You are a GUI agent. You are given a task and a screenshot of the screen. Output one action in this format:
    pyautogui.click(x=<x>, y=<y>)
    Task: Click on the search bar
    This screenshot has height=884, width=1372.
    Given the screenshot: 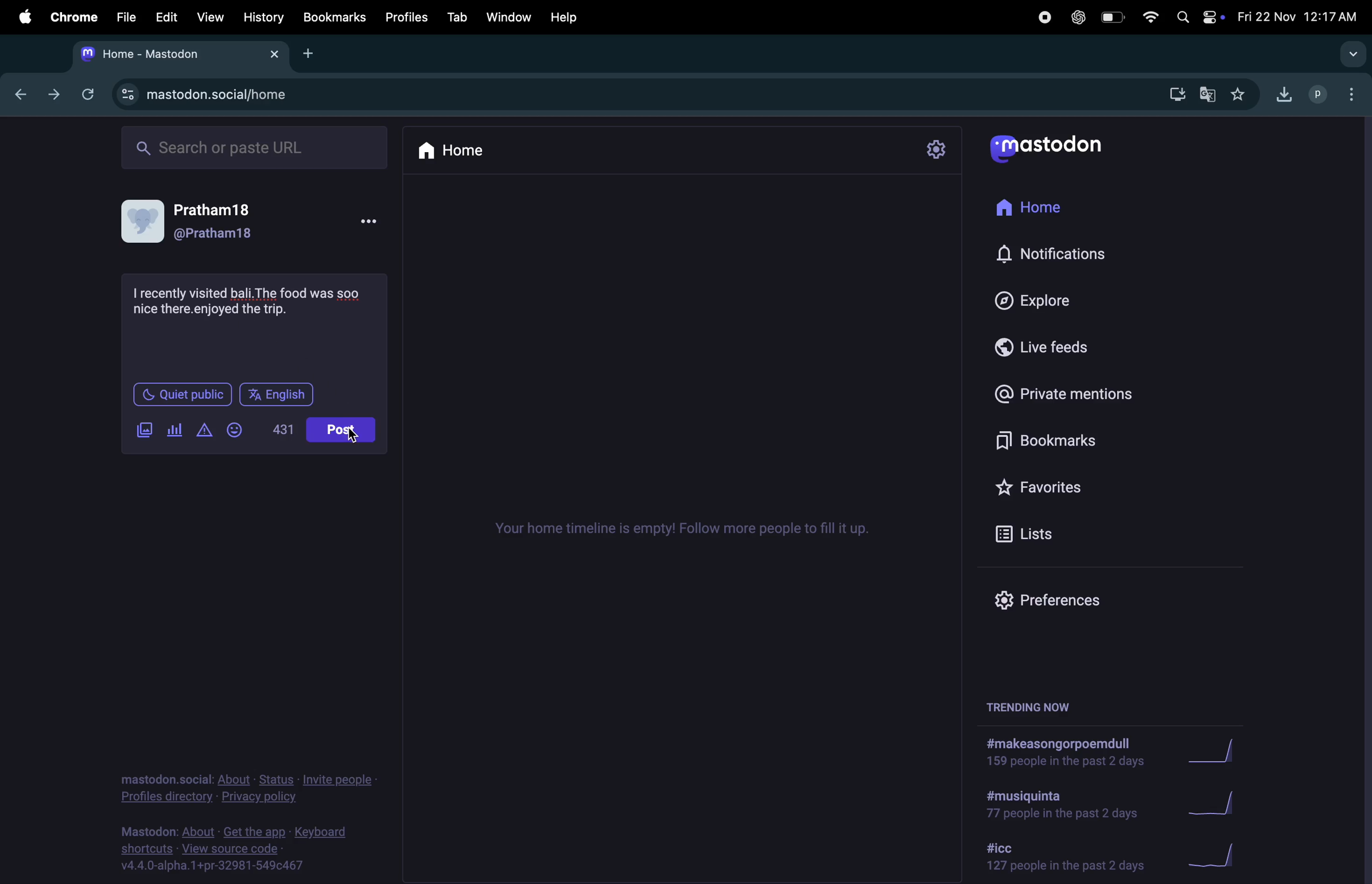 What is the action you would take?
    pyautogui.click(x=253, y=148)
    